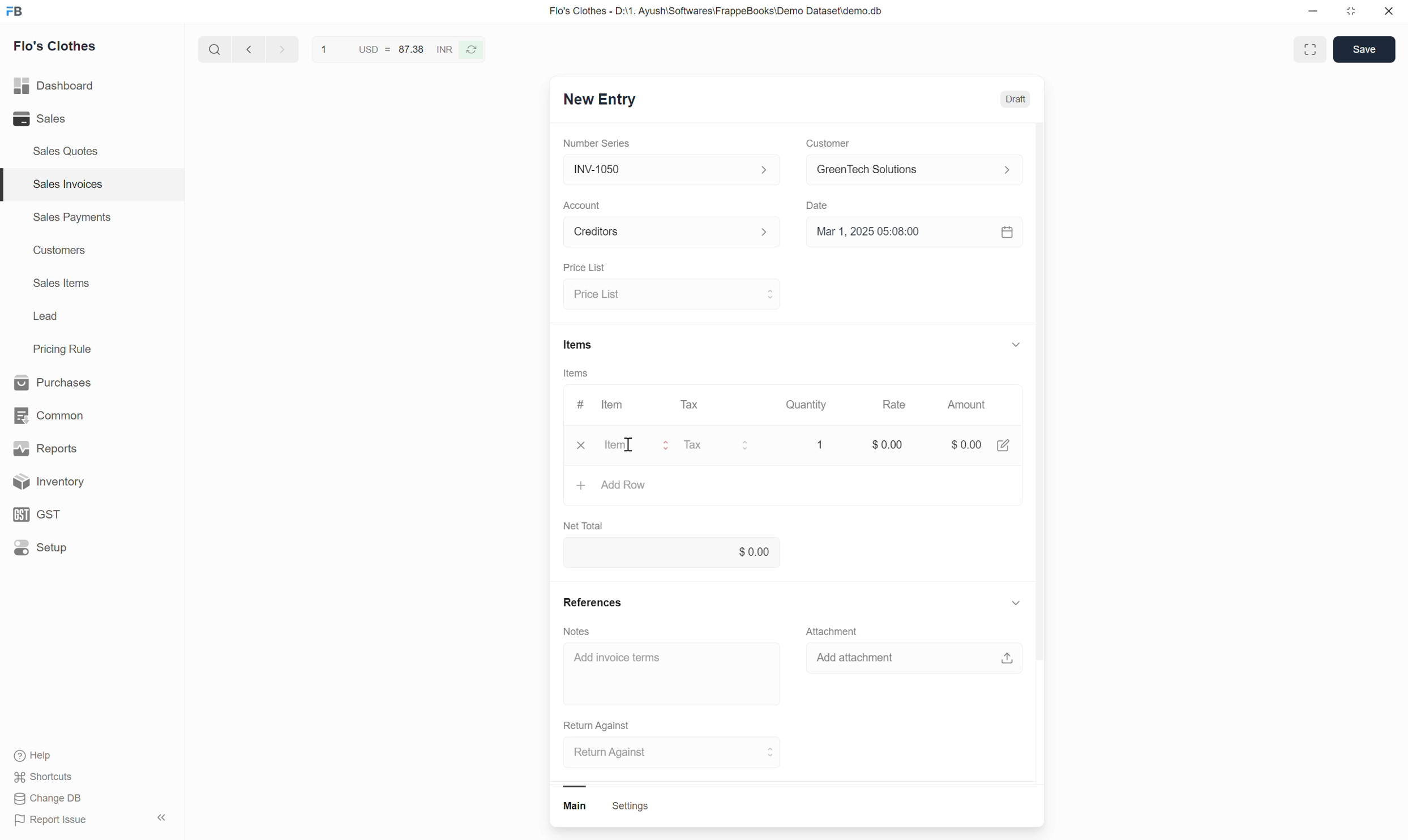 The height and width of the screenshot is (840, 1408). What do you see at coordinates (58, 252) in the screenshot?
I see `Customers` at bounding box center [58, 252].